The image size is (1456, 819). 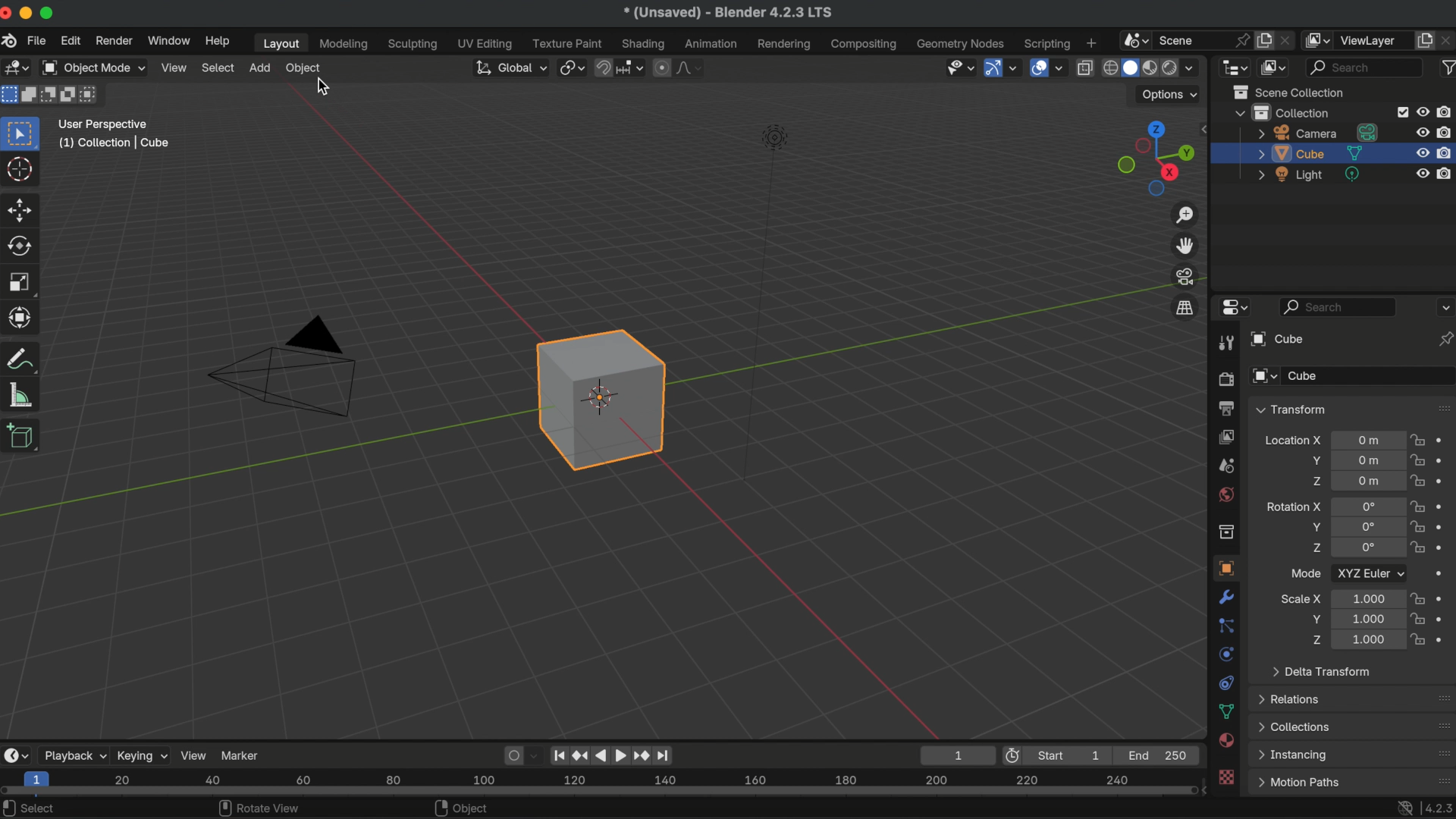 What do you see at coordinates (413, 45) in the screenshot?
I see `sculpting` at bounding box center [413, 45].